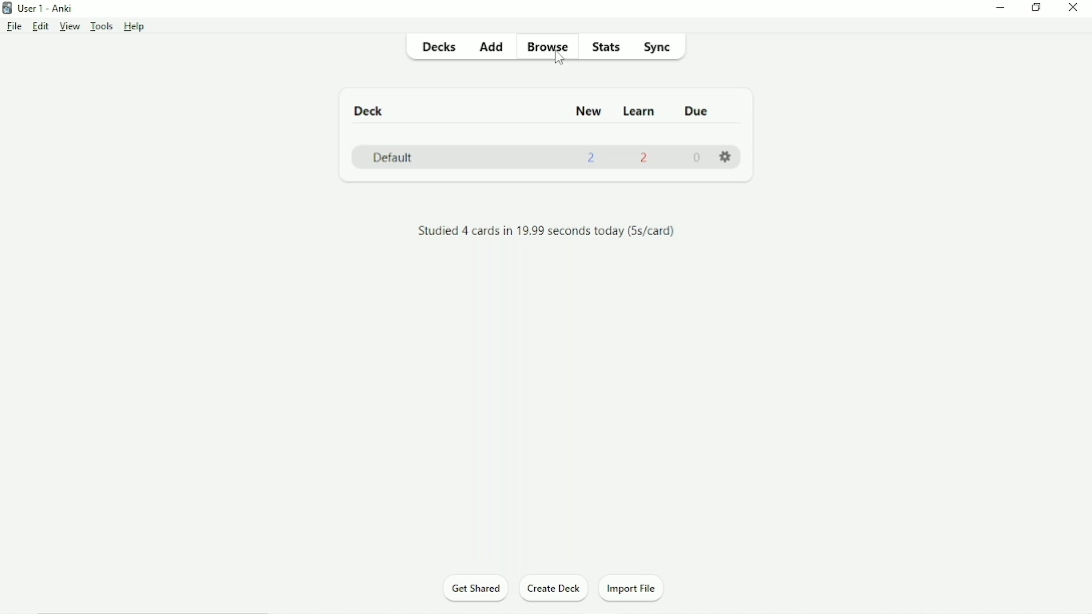 The height and width of the screenshot is (614, 1092). What do you see at coordinates (396, 158) in the screenshot?
I see `Default` at bounding box center [396, 158].